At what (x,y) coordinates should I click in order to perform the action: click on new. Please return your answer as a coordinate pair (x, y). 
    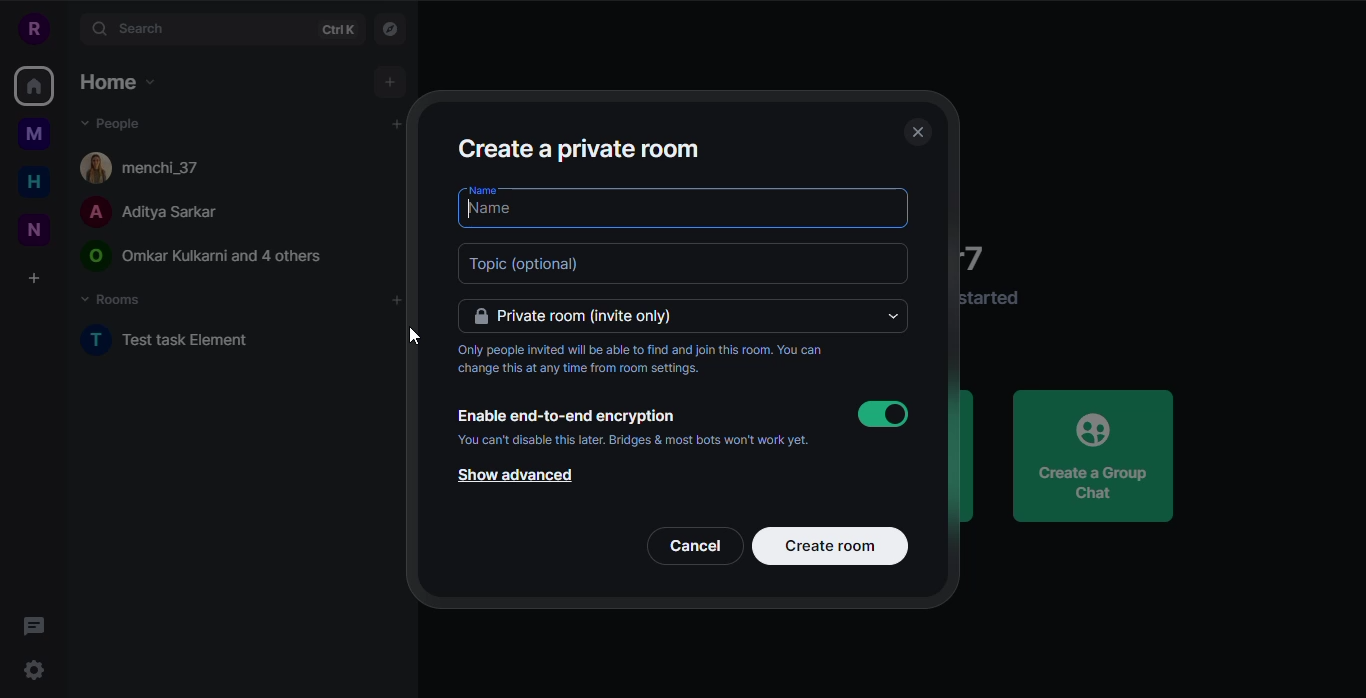
    Looking at the image, I should click on (35, 229).